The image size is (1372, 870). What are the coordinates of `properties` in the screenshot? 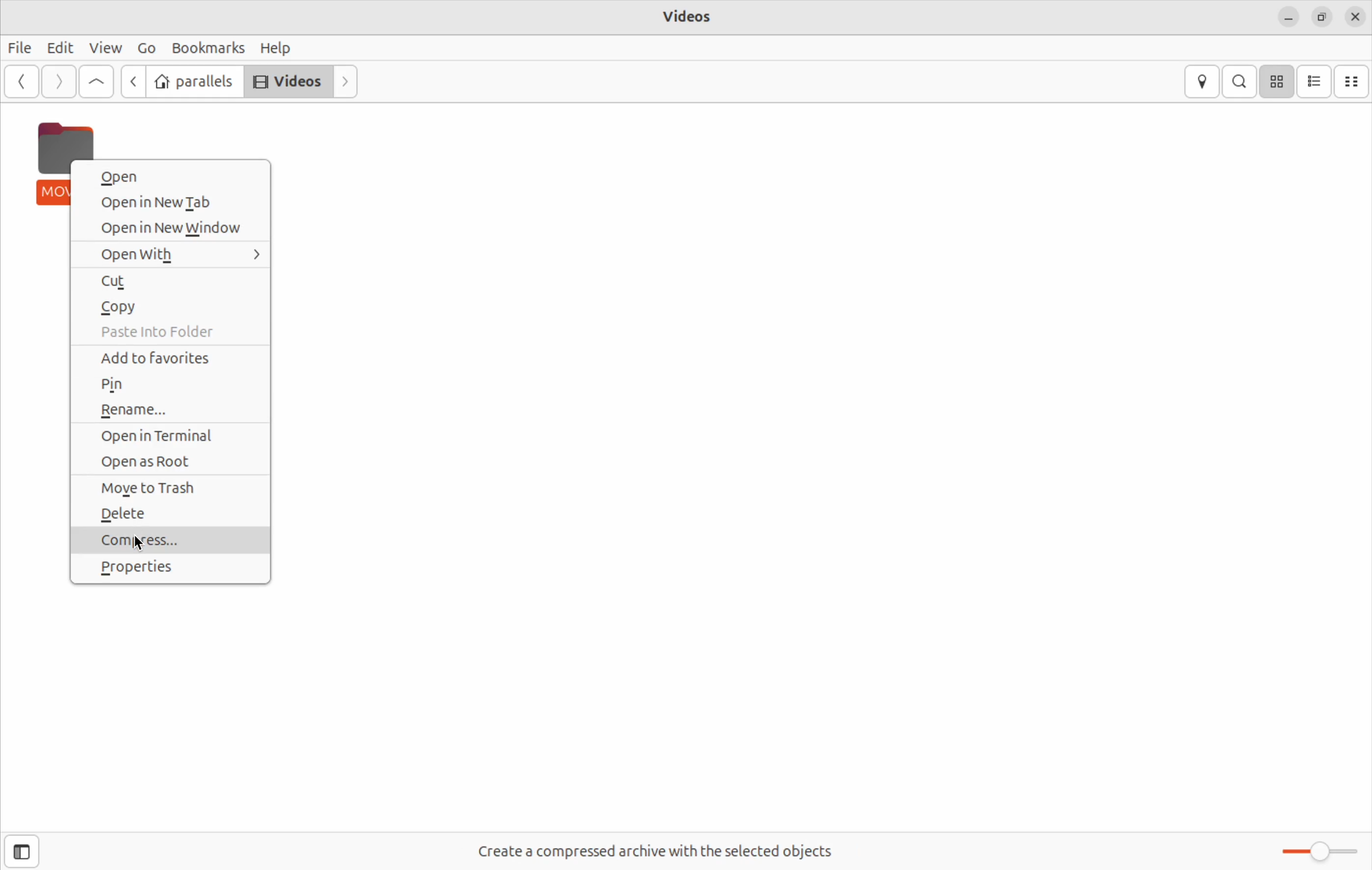 It's located at (178, 570).